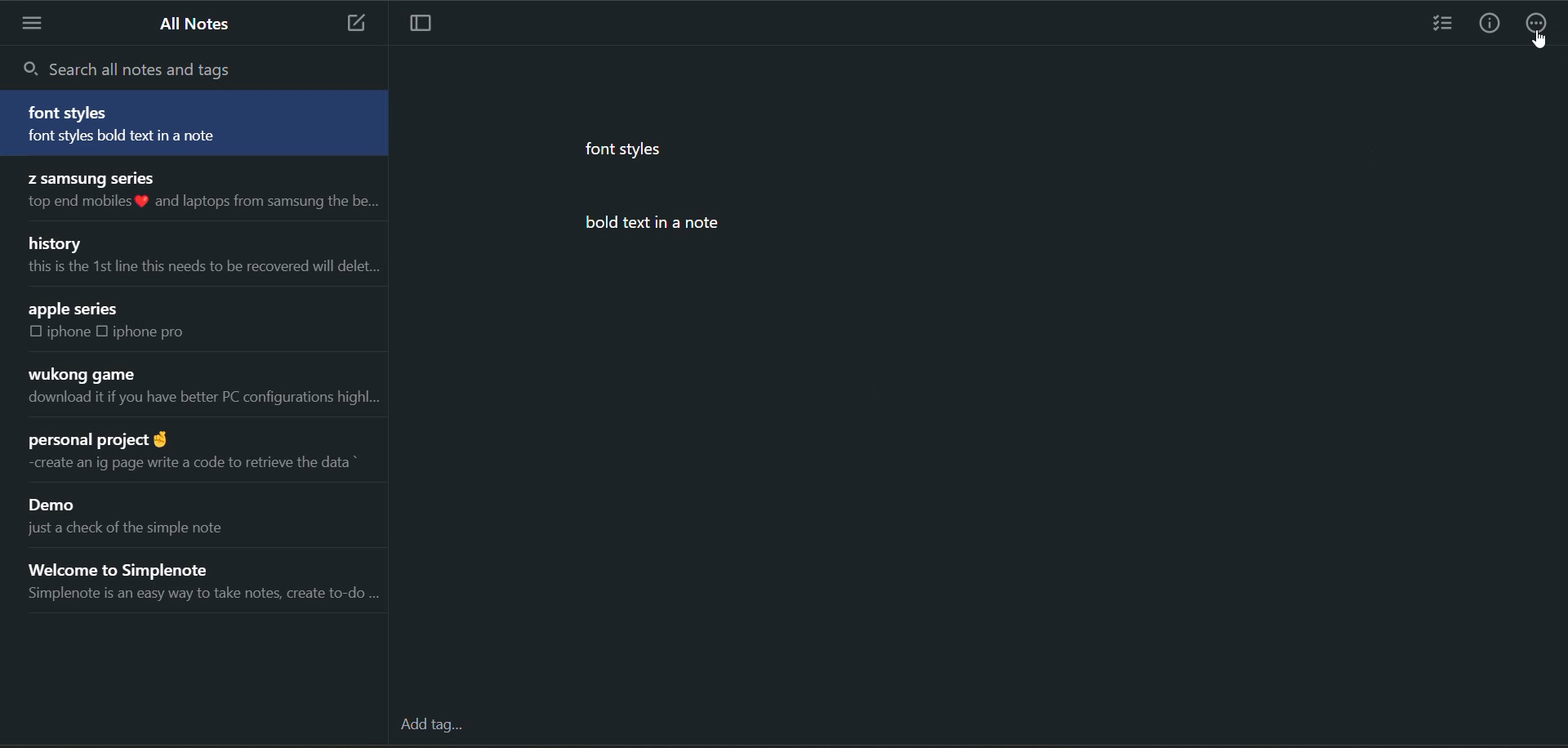 Image resolution: width=1568 pixels, height=748 pixels. I want to click on menu, so click(35, 23).